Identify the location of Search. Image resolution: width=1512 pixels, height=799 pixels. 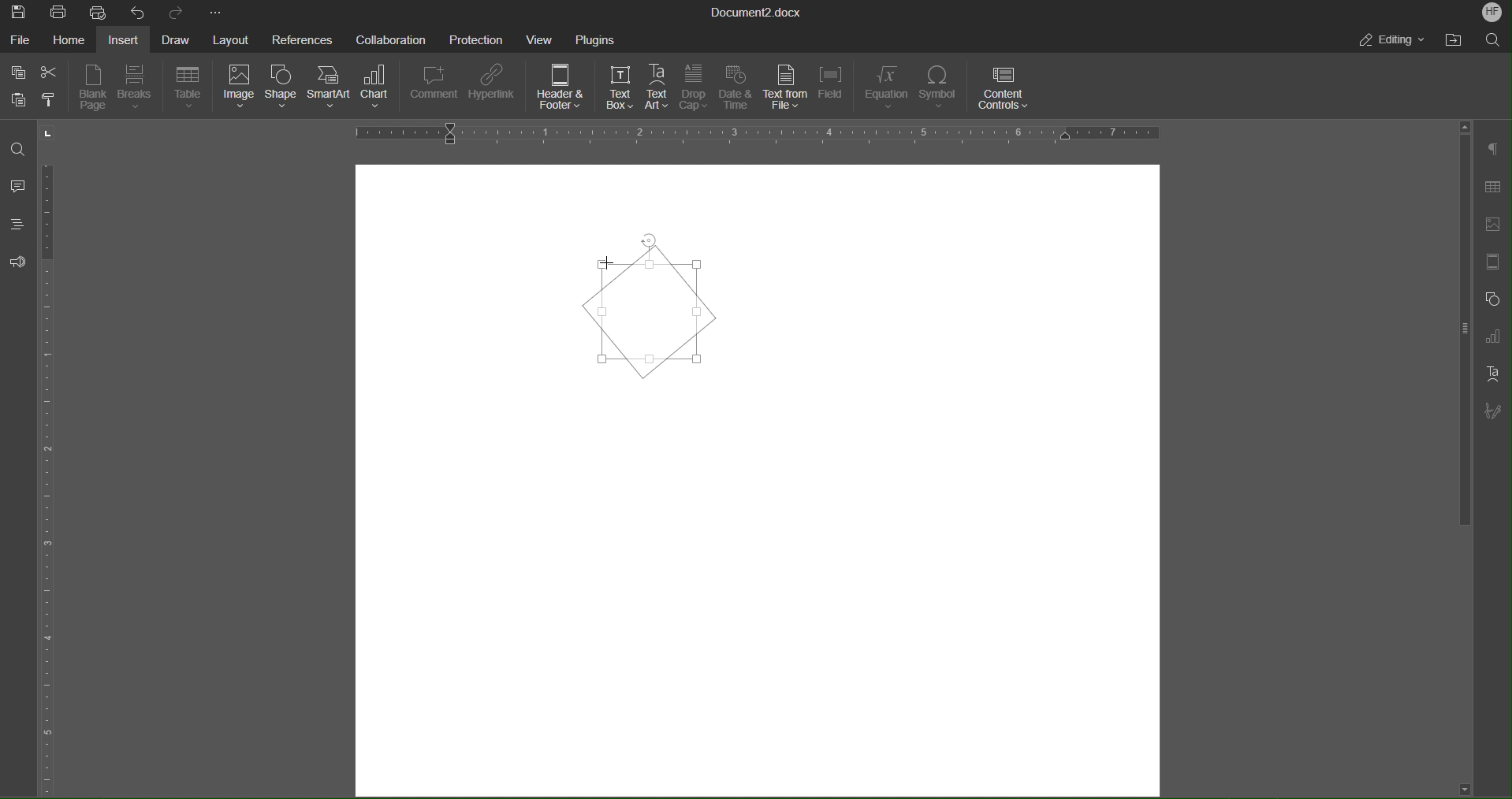
(1493, 39).